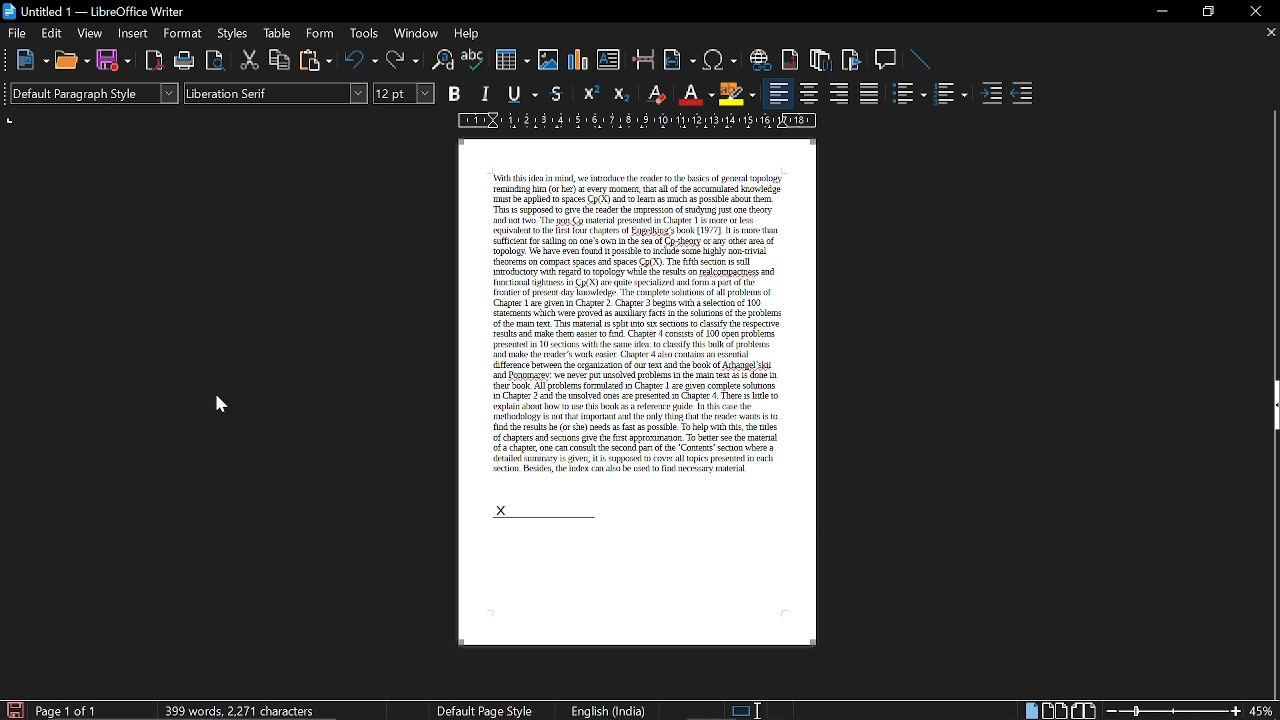  Describe the element at coordinates (789, 60) in the screenshot. I see `insert endnote` at that location.